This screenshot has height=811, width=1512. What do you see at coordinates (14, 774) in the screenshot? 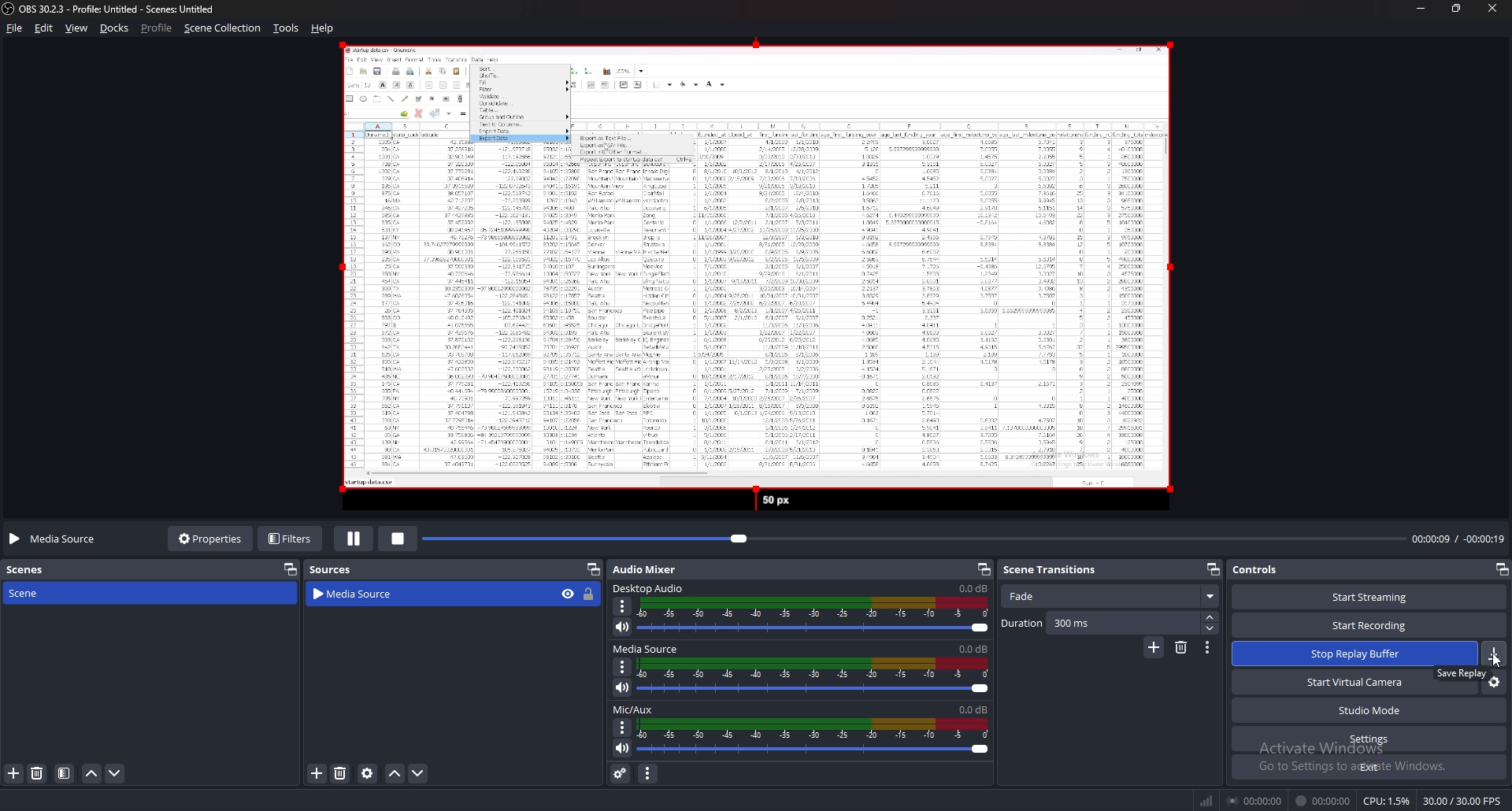
I see `add scene` at bounding box center [14, 774].